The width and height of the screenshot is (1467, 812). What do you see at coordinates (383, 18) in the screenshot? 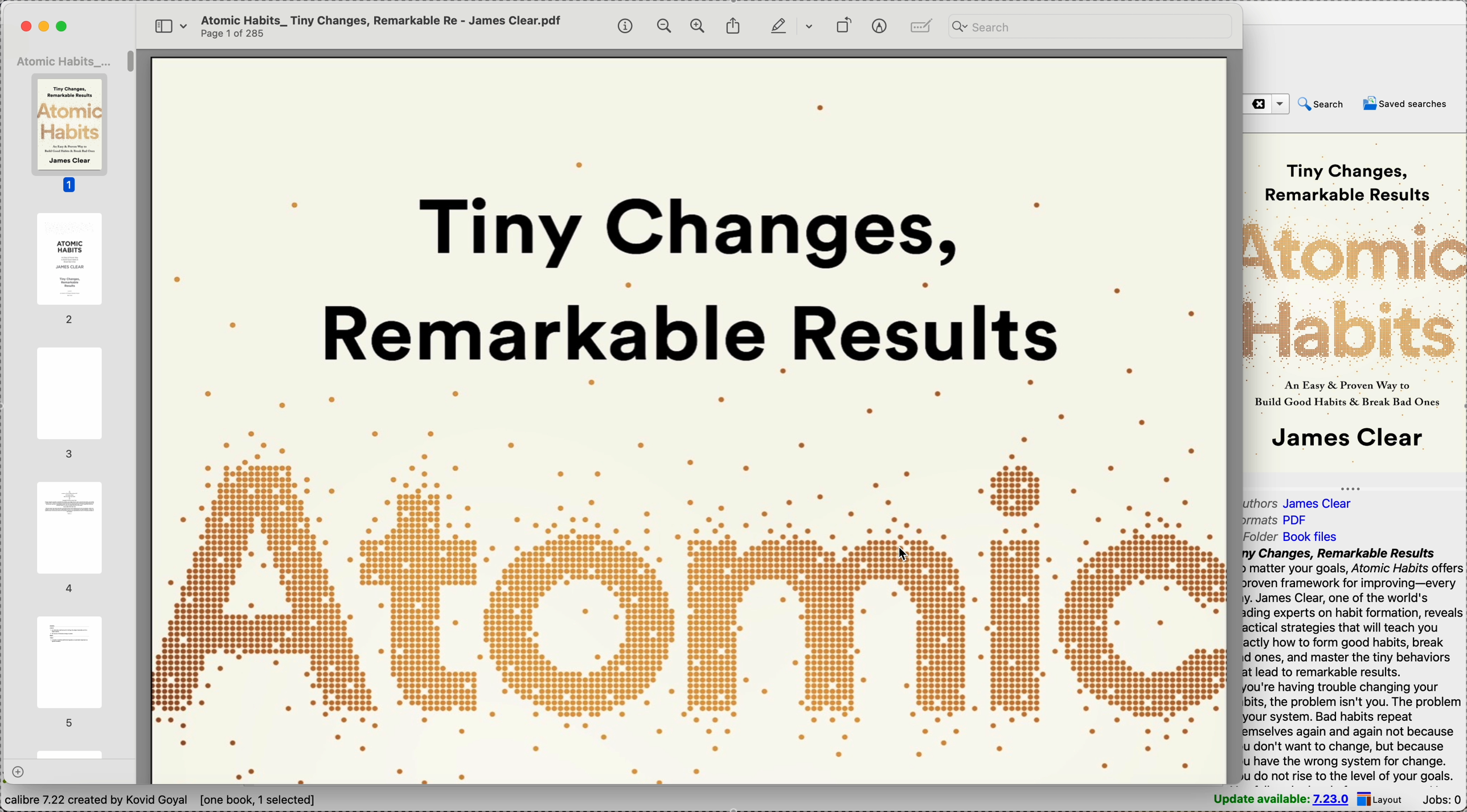
I see `document` at bounding box center [383, 18].